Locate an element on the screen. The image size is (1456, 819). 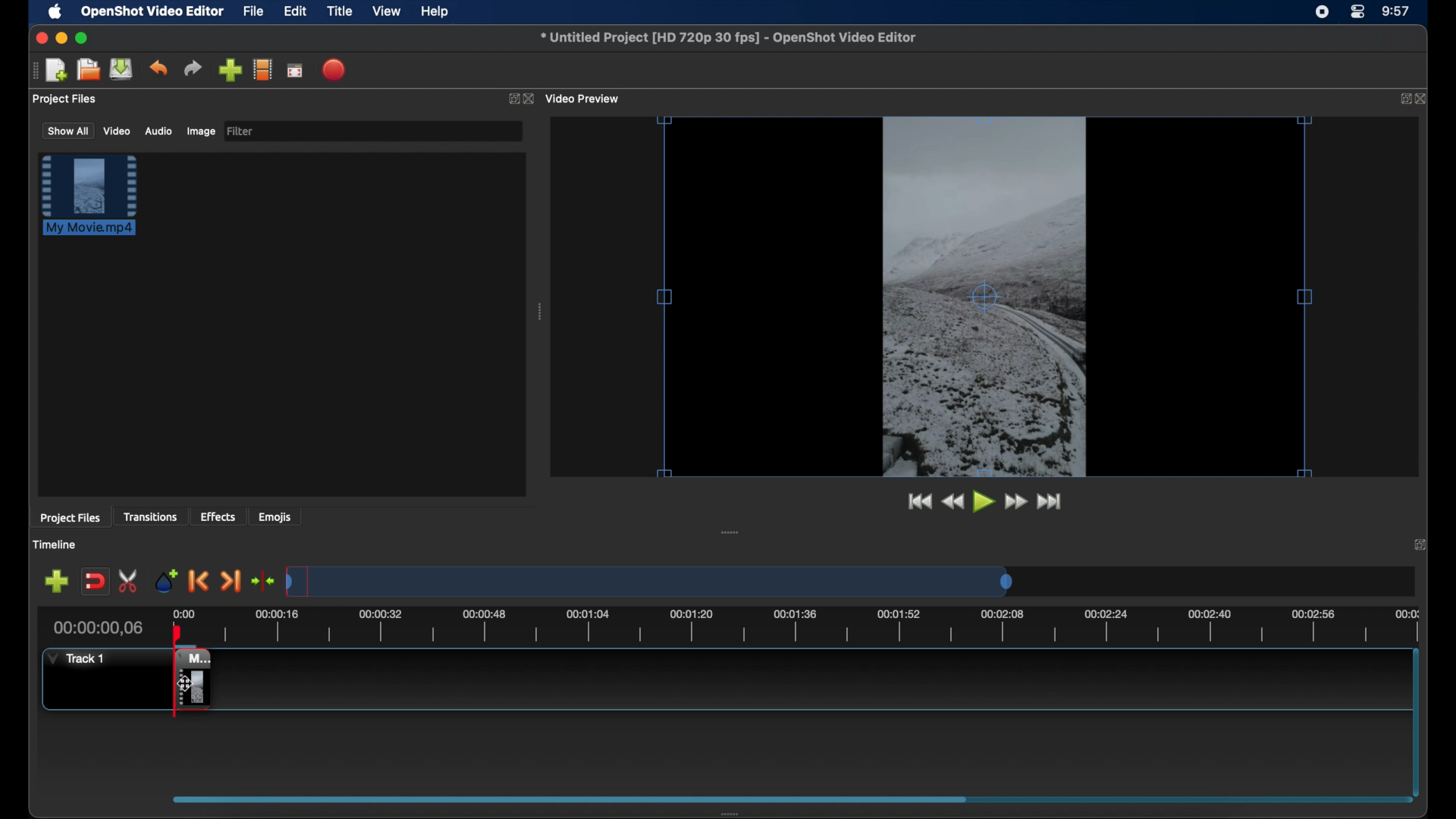
track 1 is located at coordinates (80, 658).